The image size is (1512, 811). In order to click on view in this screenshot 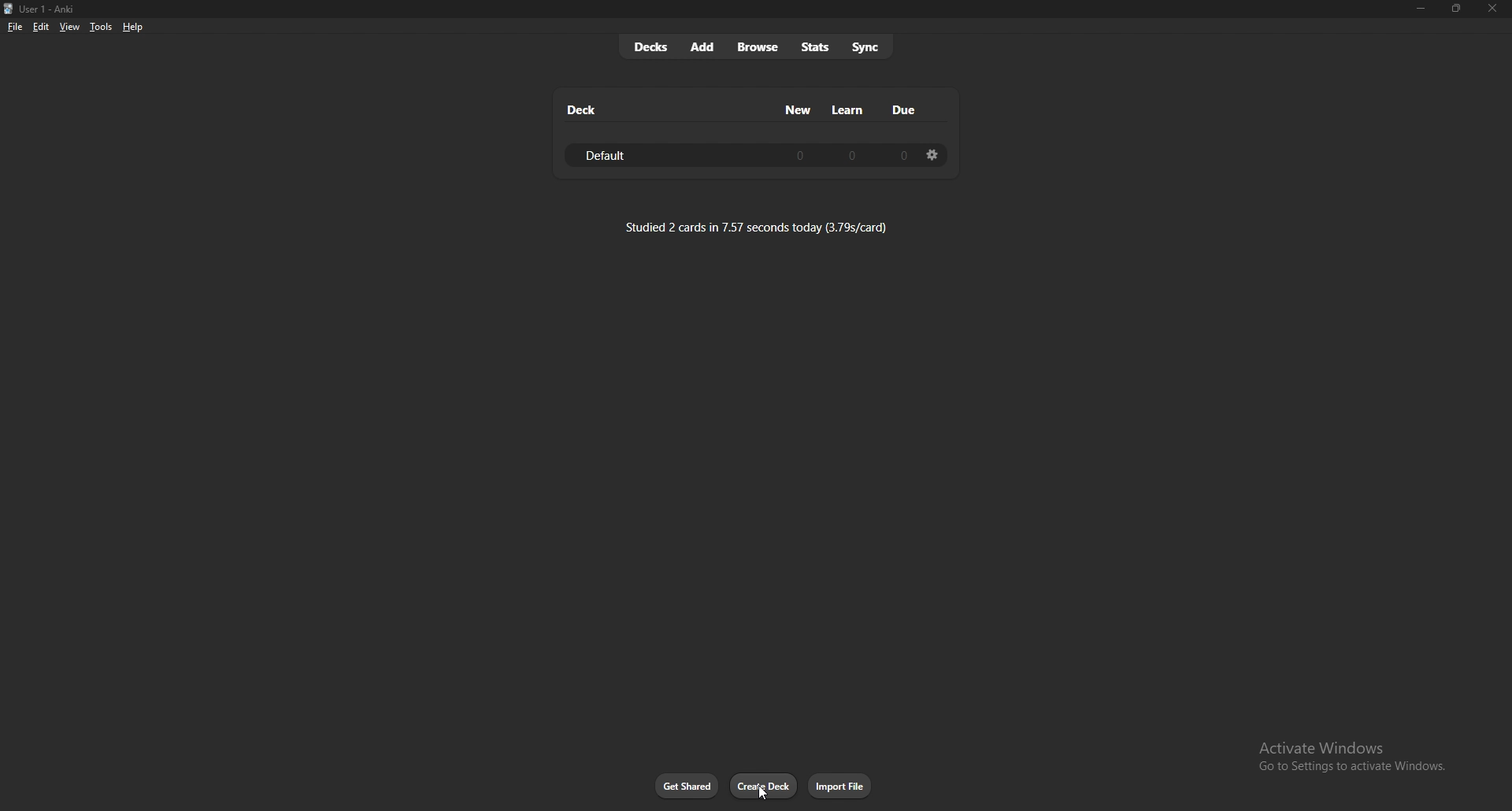, I will do `click(69, 26)`.